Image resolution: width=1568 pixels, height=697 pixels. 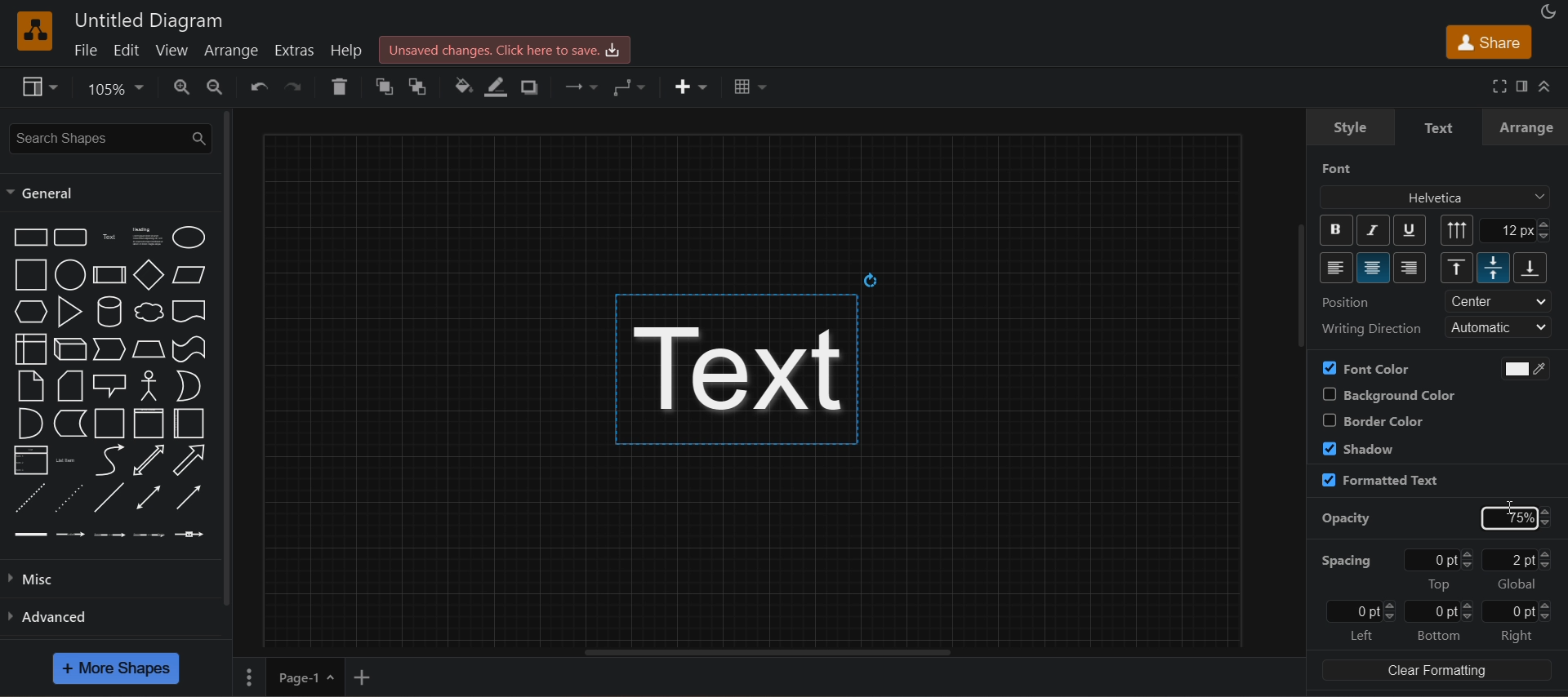 What do you see at coordinates (109, 275) in the screenshot?
I see `process` at bounding box center [109, 275].